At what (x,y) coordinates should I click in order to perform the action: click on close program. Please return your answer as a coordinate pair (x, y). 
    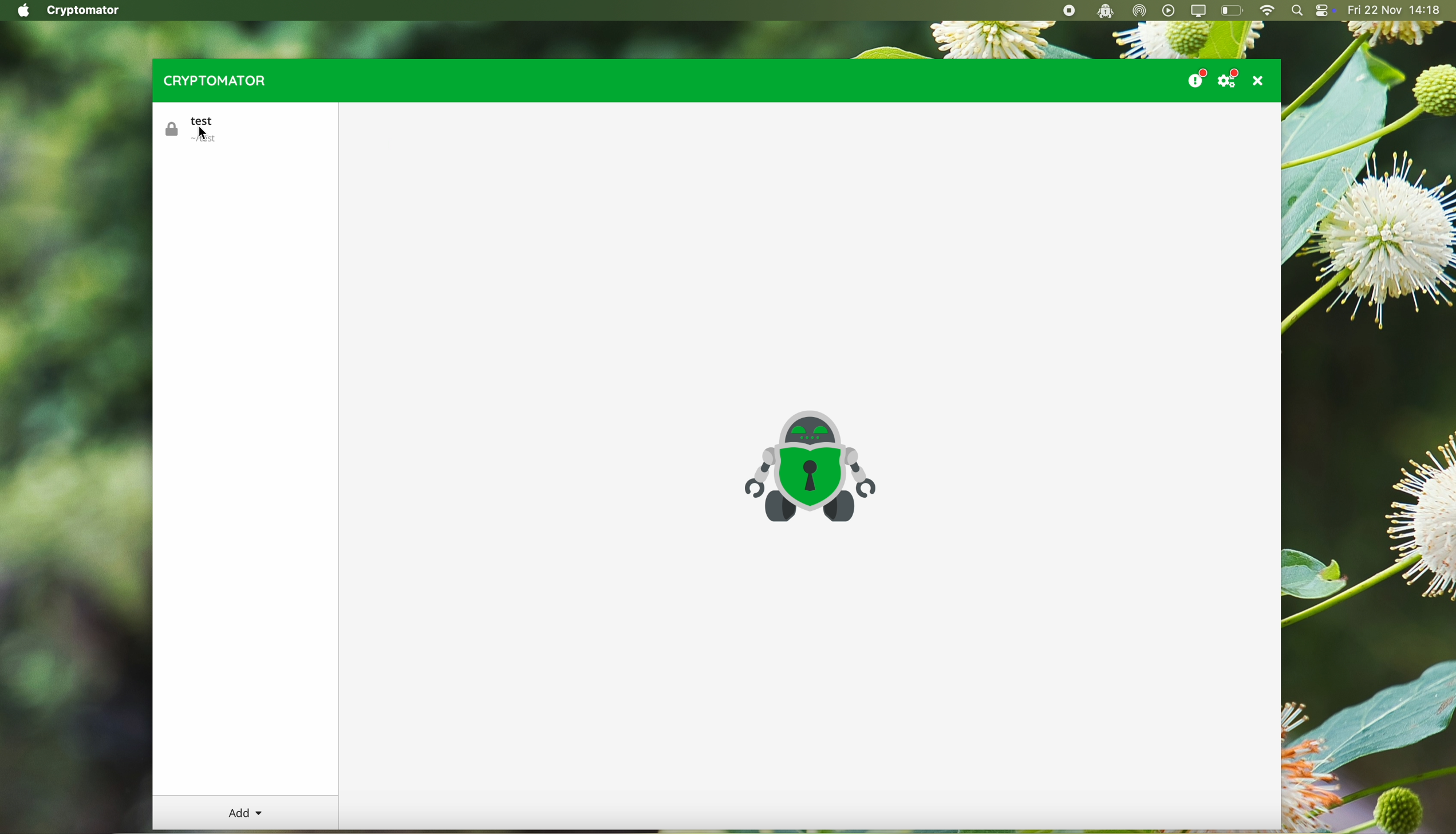
    Looking at the image, I should click on (1261, 80).